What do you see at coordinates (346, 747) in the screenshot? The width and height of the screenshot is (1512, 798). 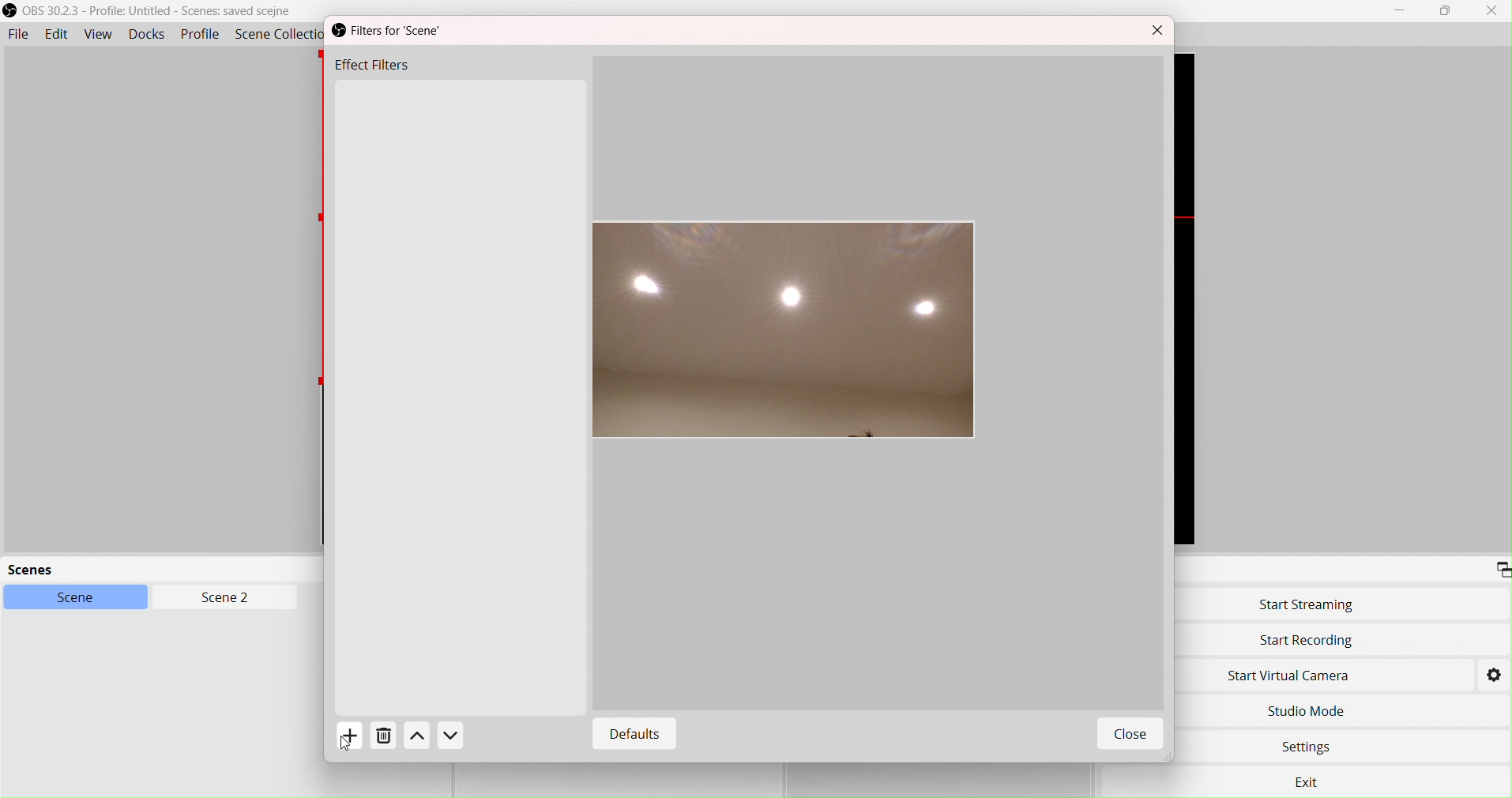 I see `cursor` at bounding box center [346, 747].